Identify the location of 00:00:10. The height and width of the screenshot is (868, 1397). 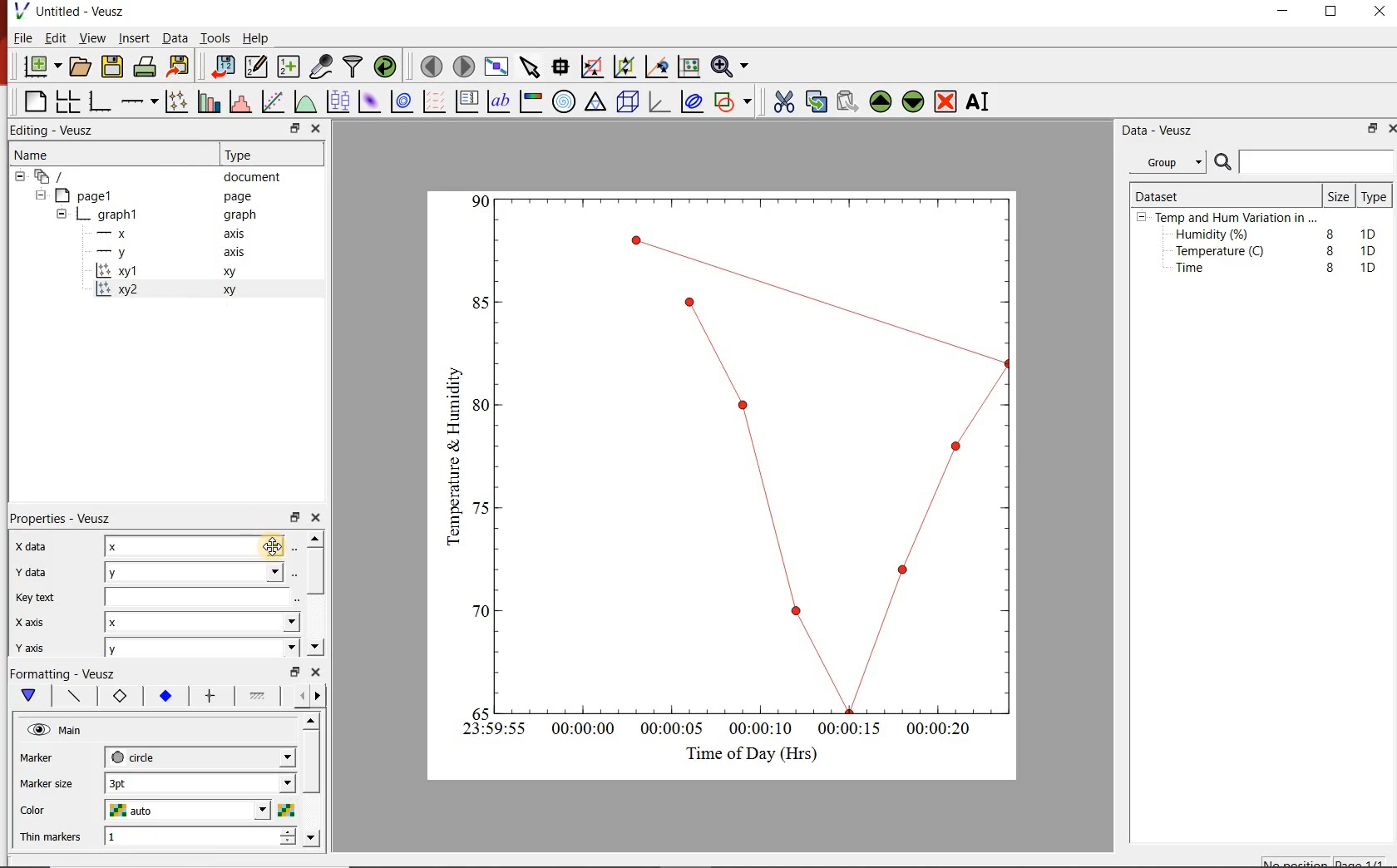
(759, 727).